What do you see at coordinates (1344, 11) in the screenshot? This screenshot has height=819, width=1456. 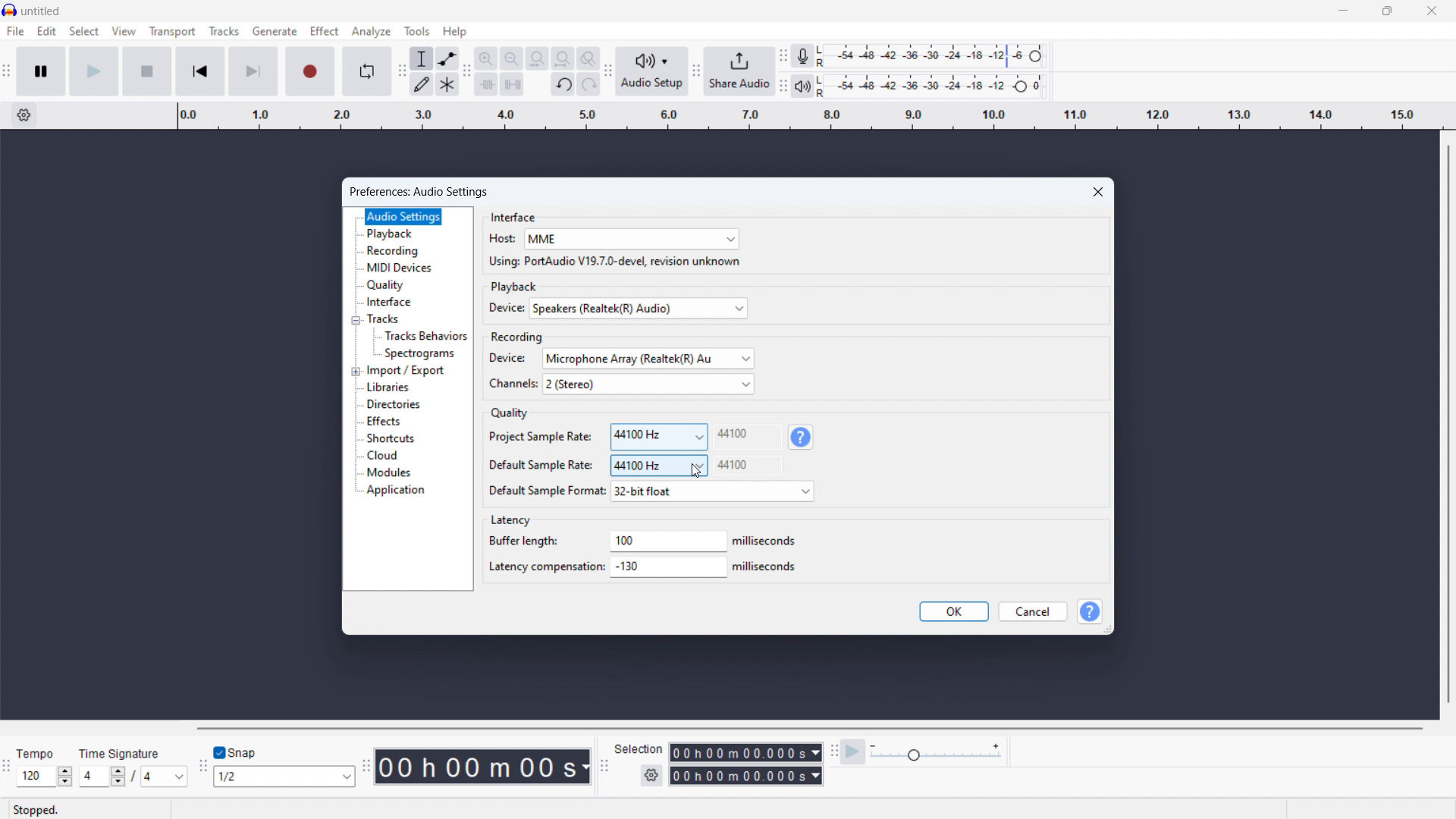 I see `minimize` at bounding box center [1344, 11].